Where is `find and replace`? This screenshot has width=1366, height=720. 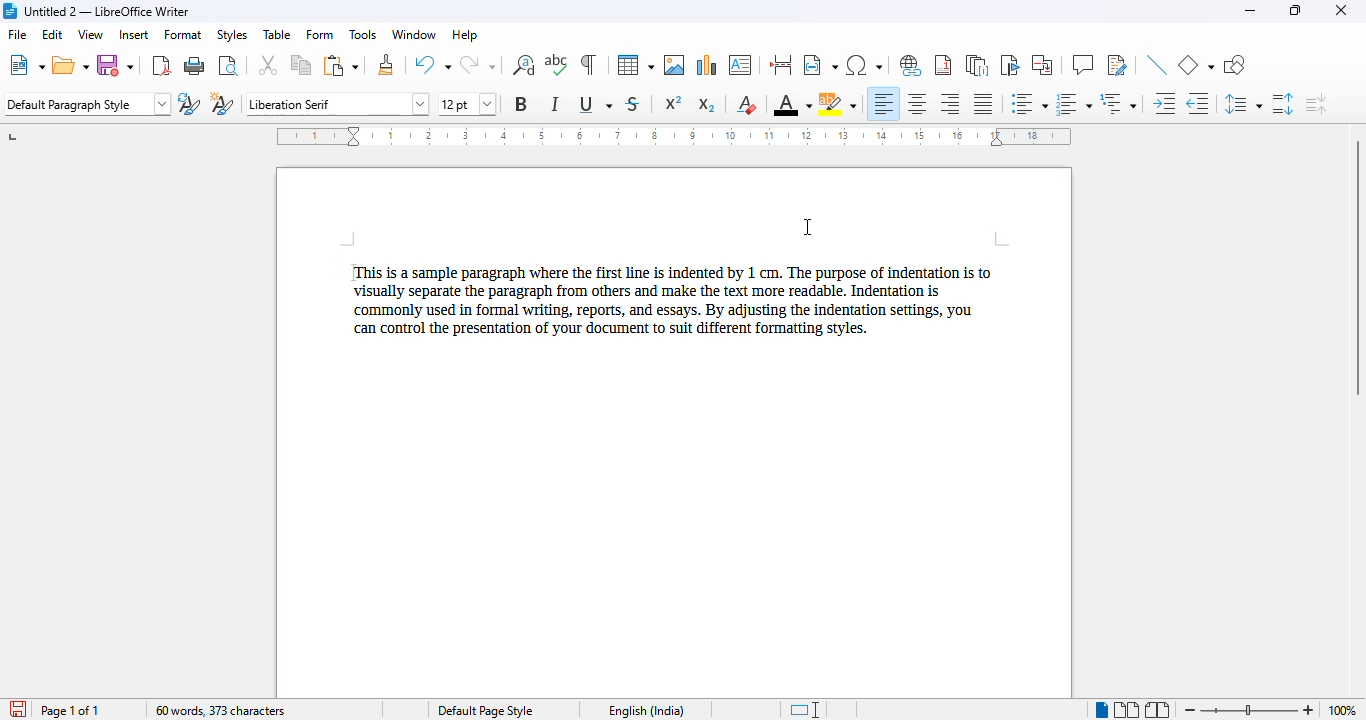 find and replace is located at coordinates (523, 65).